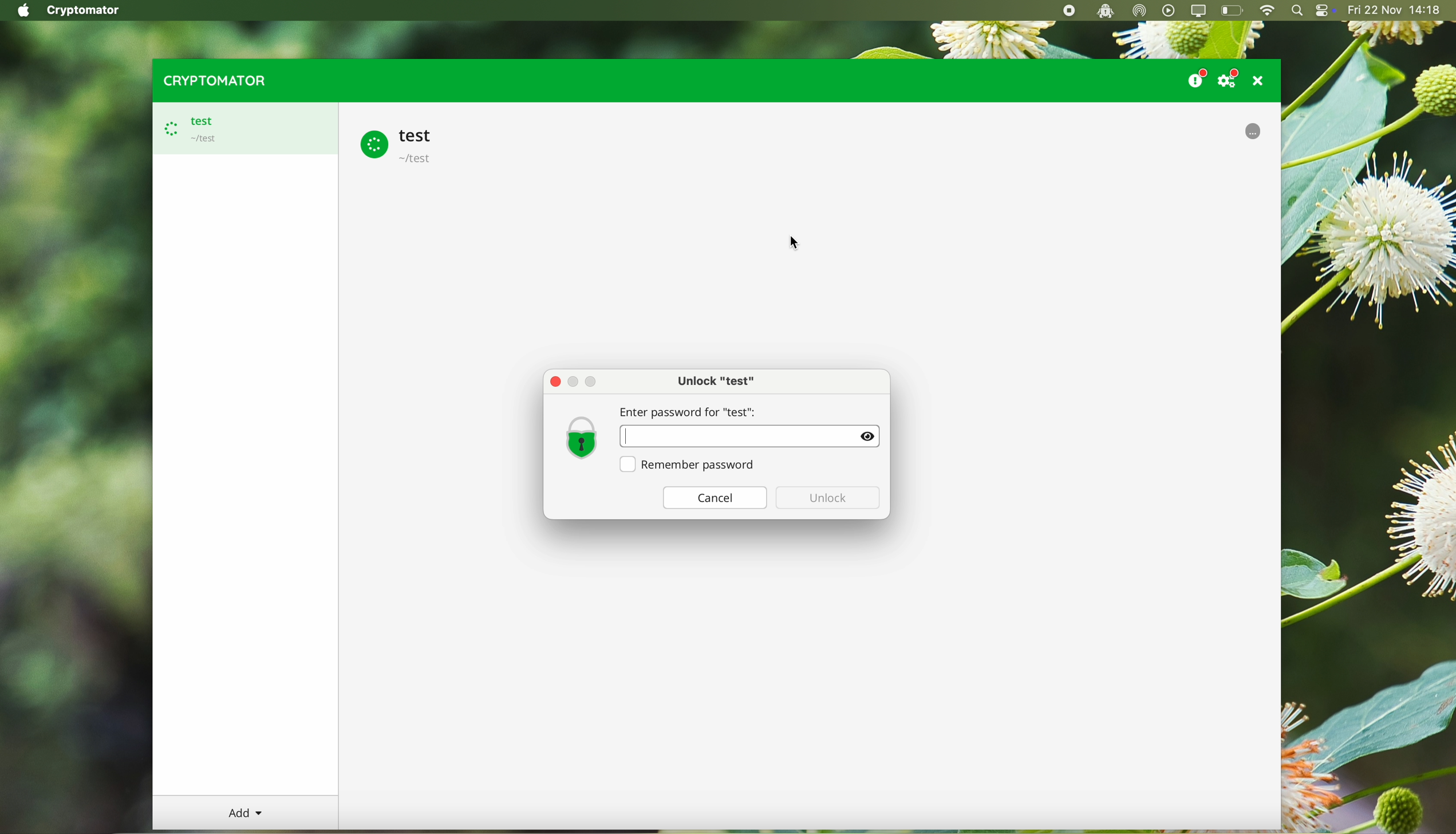 This screenshot has width=1456, height=834. Describe the element at coordinates (732, 438) in the screenshot. I see `Password` at that location.